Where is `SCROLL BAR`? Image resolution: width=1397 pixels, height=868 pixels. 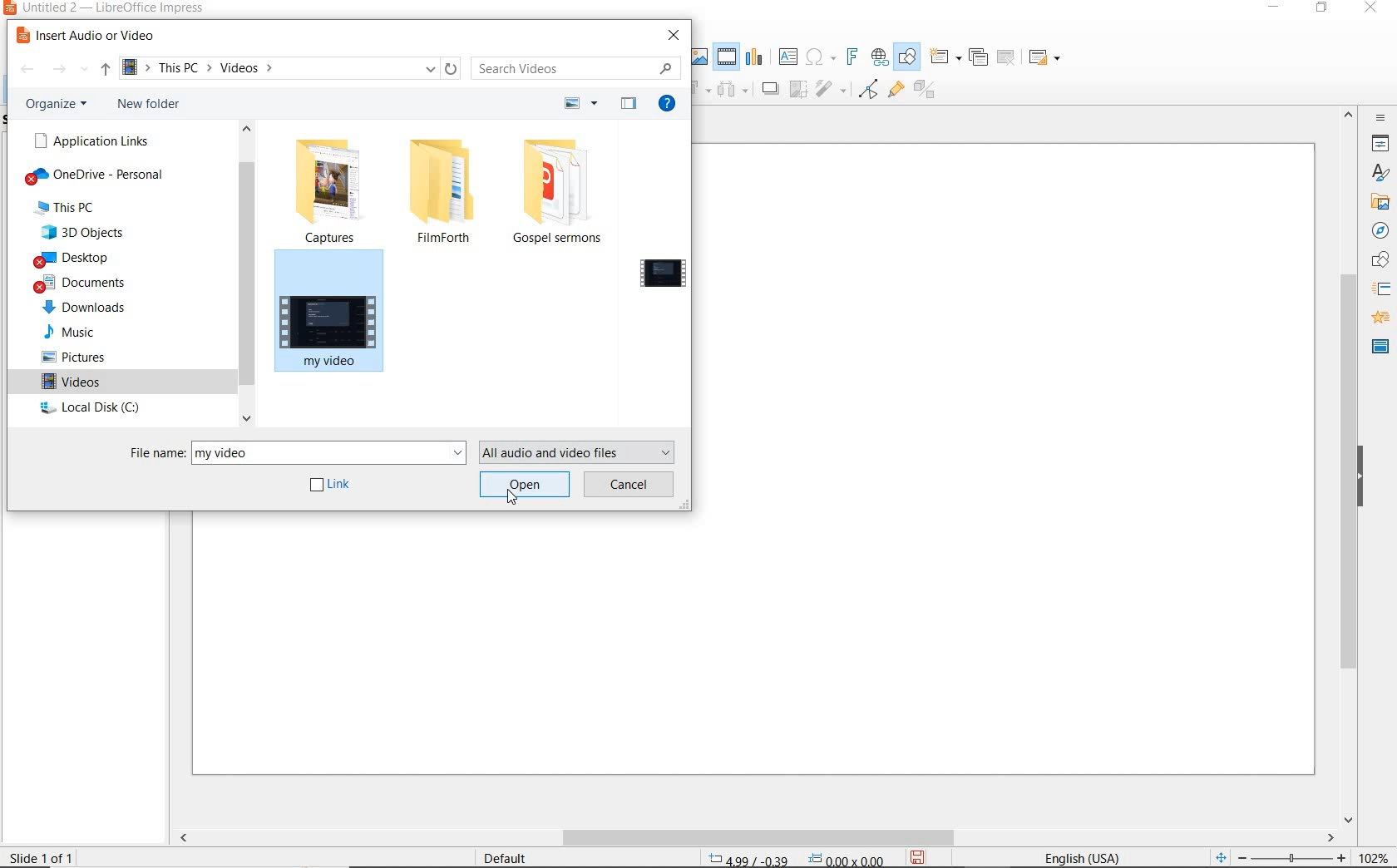 SCROLL BAR is located at coordinates (757, 837).